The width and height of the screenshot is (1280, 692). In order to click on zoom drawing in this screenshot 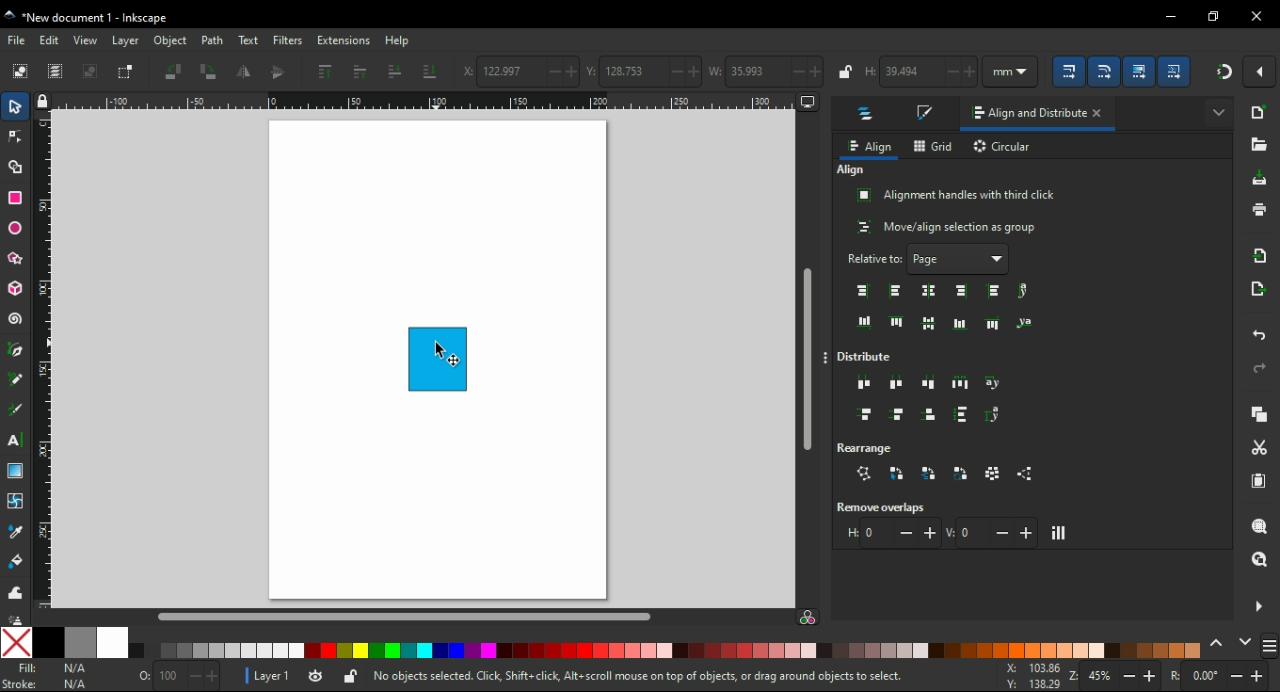, I will do `click(1261, 557)`.